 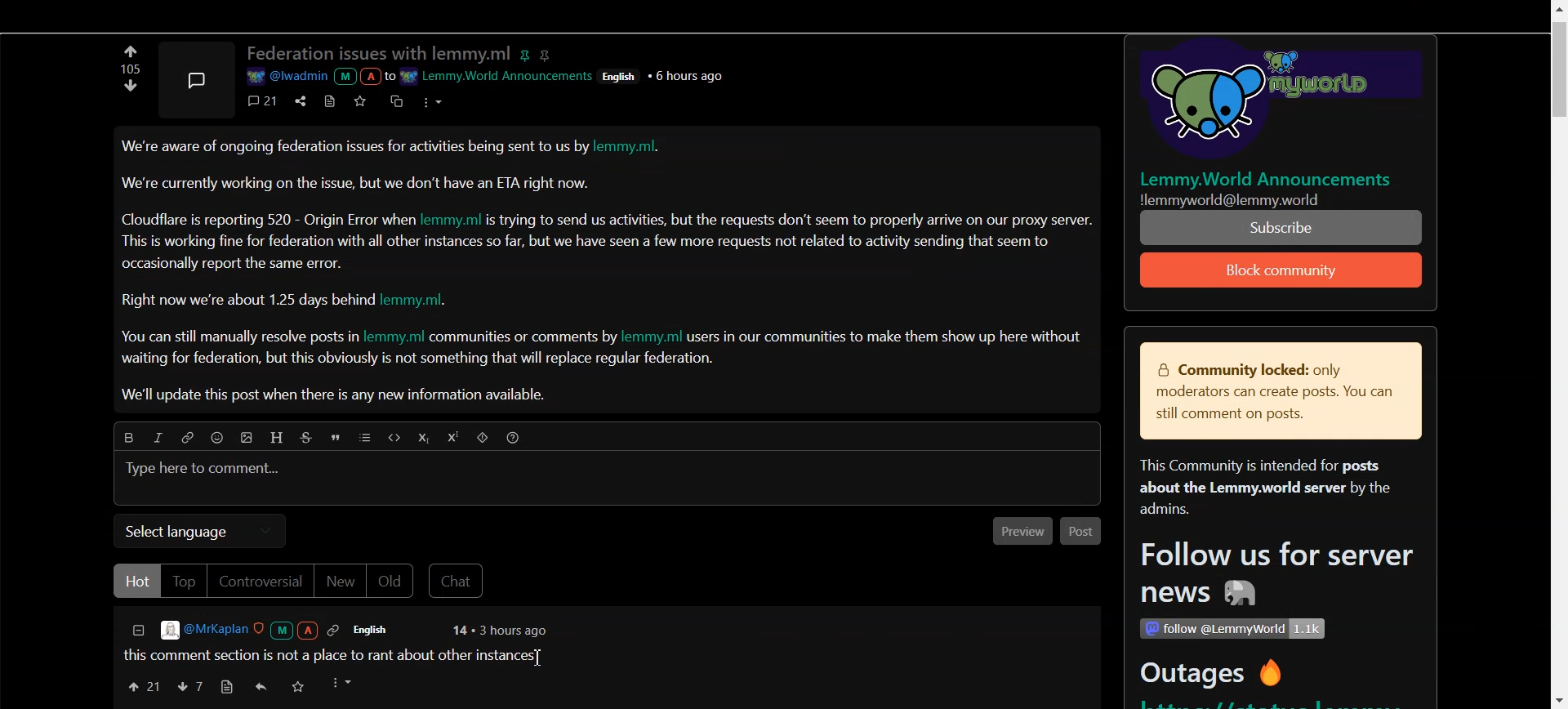 What do you see at coordinates (136, 581) in the screenshot?
I see `Hot` at bounding box center [136, 581].